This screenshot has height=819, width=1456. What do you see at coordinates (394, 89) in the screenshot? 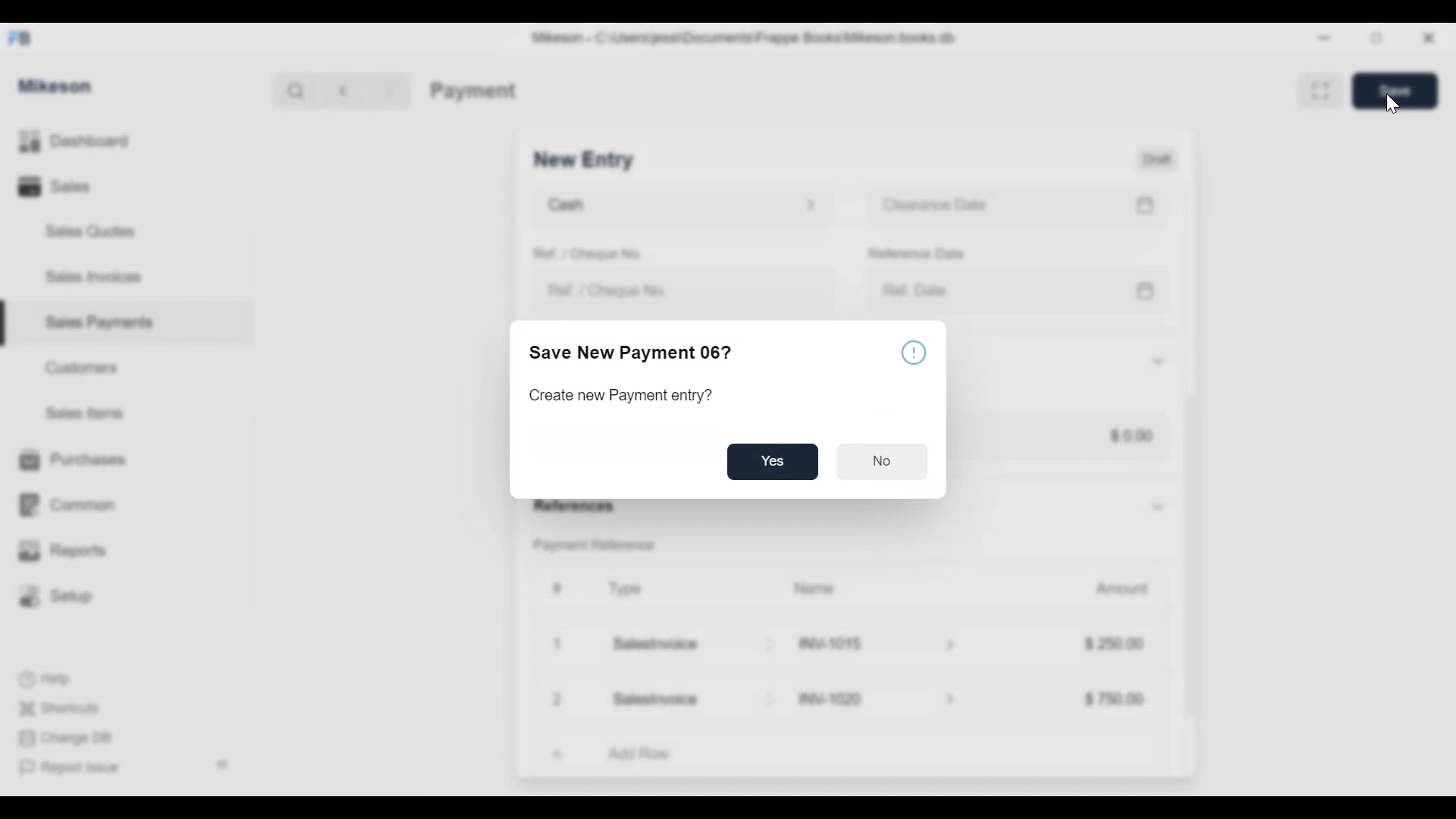
I see `Forward` at bounding box center [394, 89].